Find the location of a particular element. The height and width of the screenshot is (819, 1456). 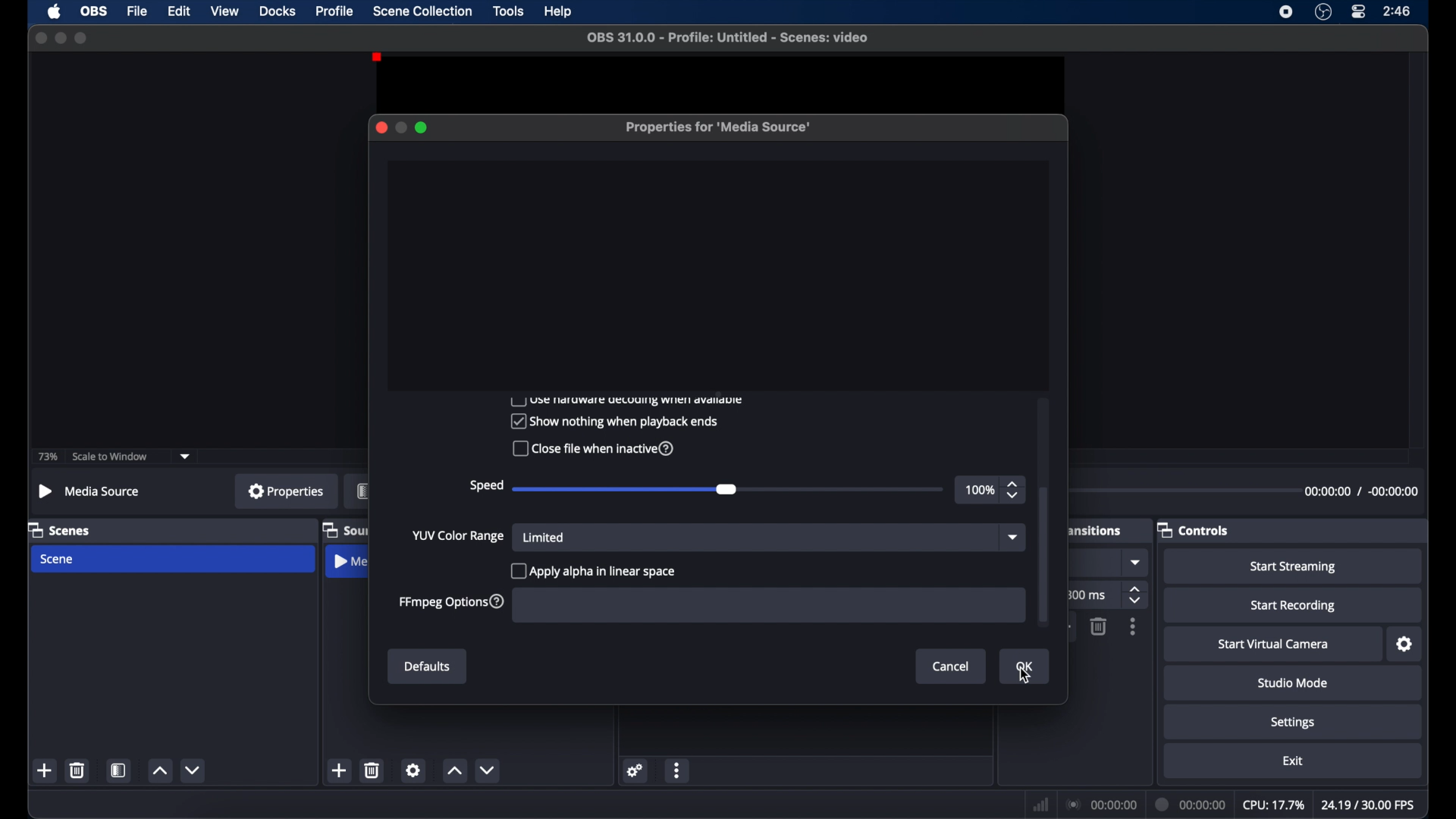

docks is located at coordinates (278, 11).